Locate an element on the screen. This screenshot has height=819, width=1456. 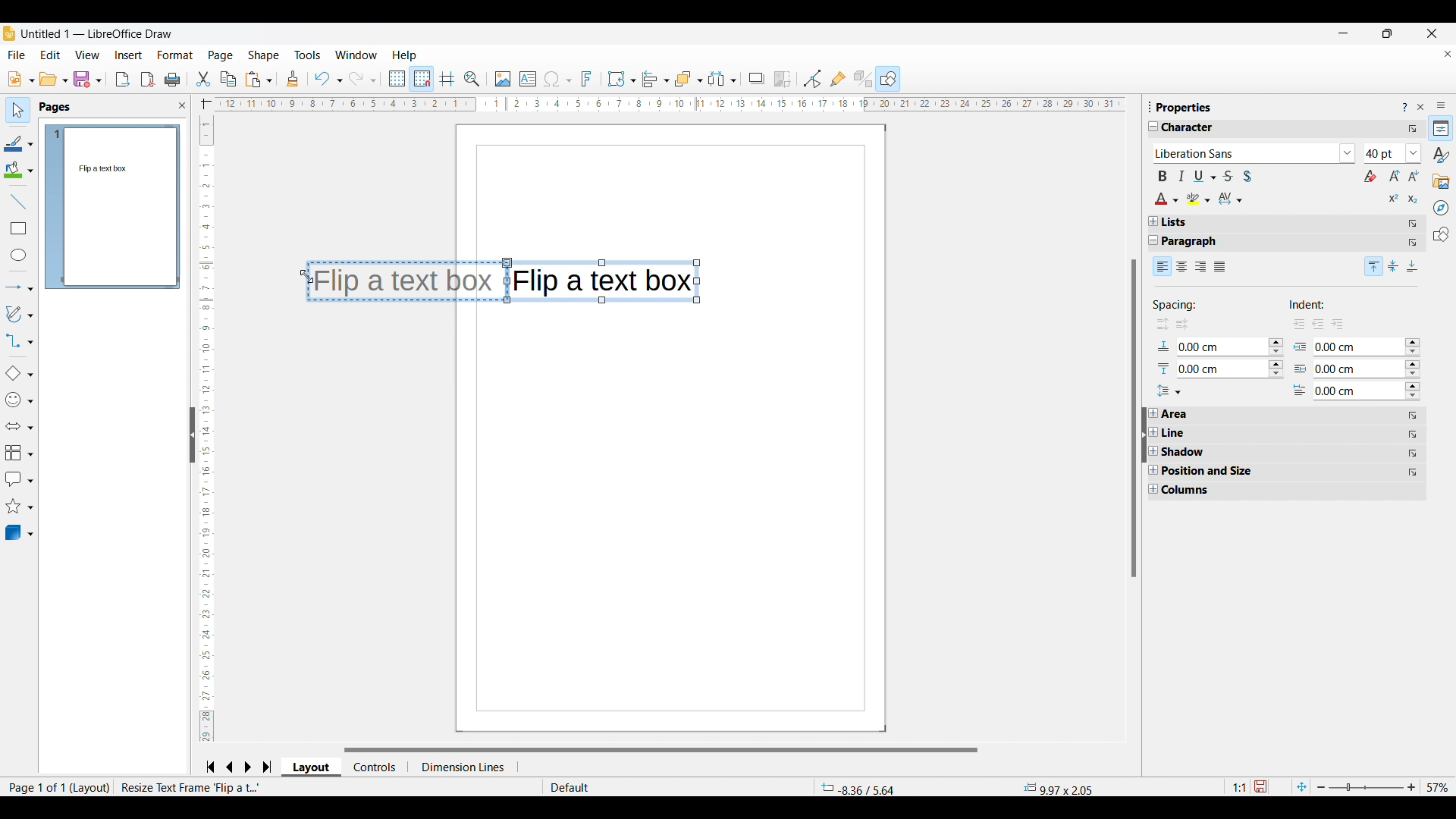
resize test frame flip a t..... is located at coordinates (192, 787).